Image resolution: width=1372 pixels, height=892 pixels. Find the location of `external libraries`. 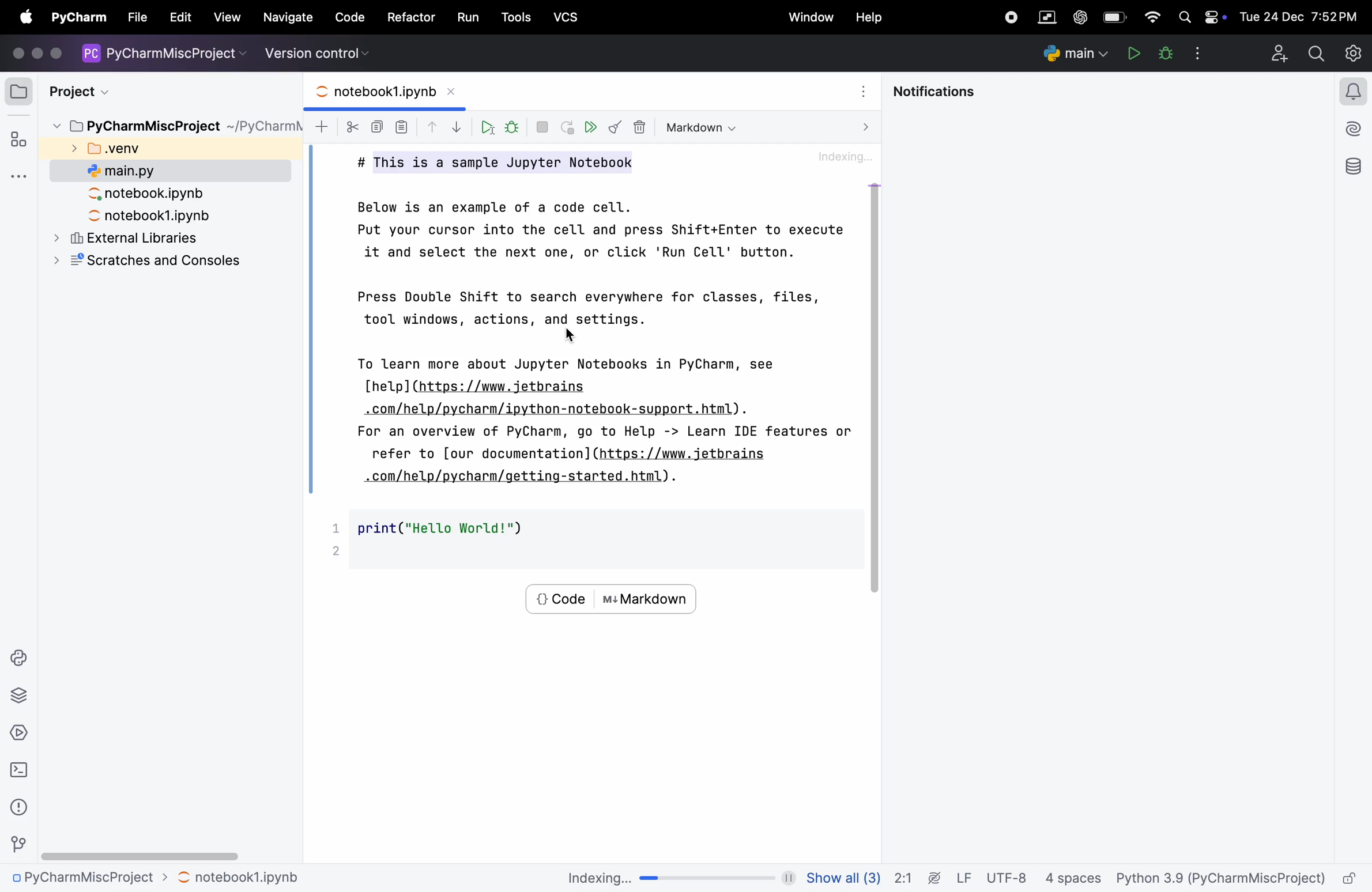

external libraries is located at coordinates (138, 236).